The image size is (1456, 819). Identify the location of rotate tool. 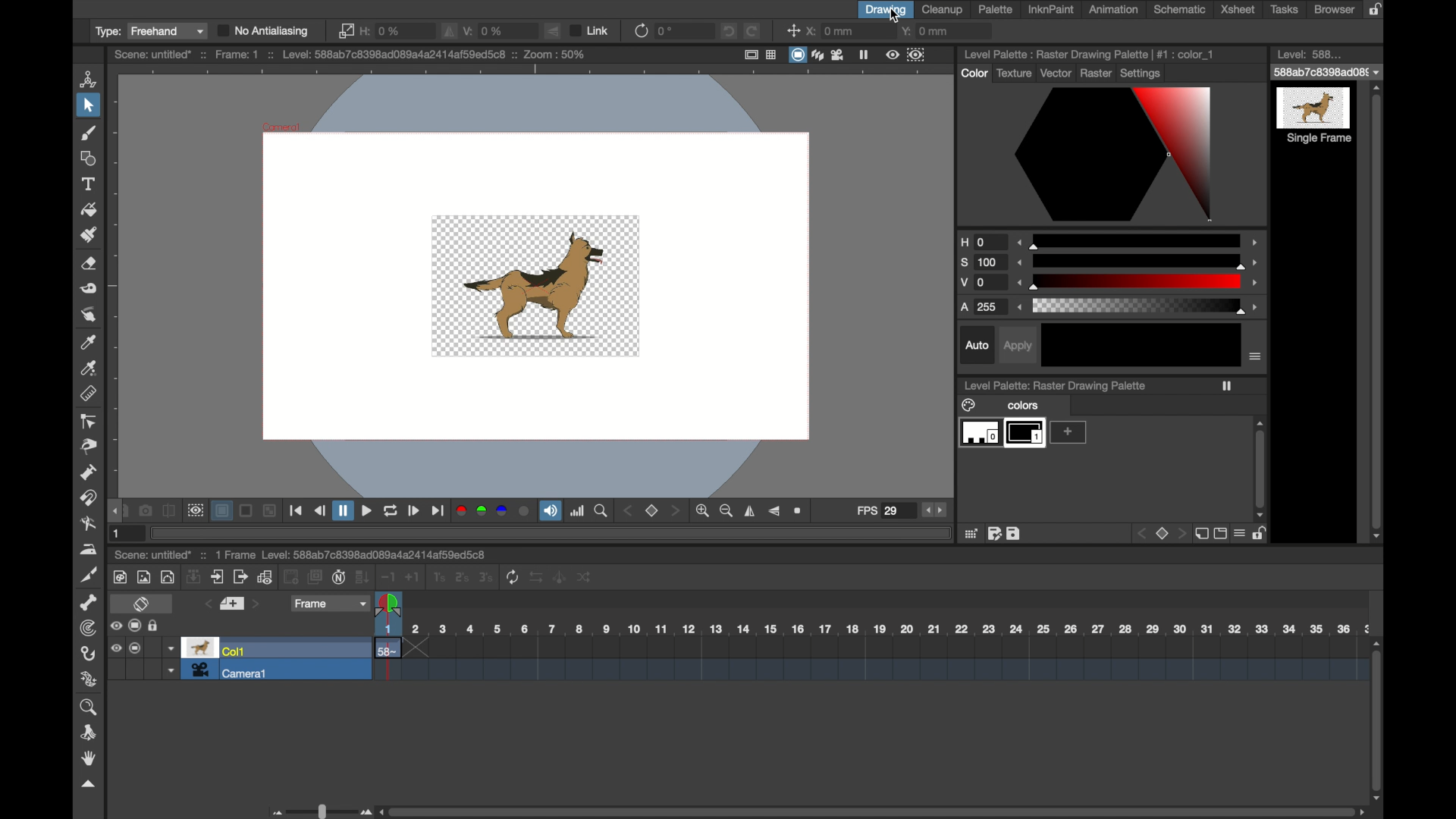
(91, 733).